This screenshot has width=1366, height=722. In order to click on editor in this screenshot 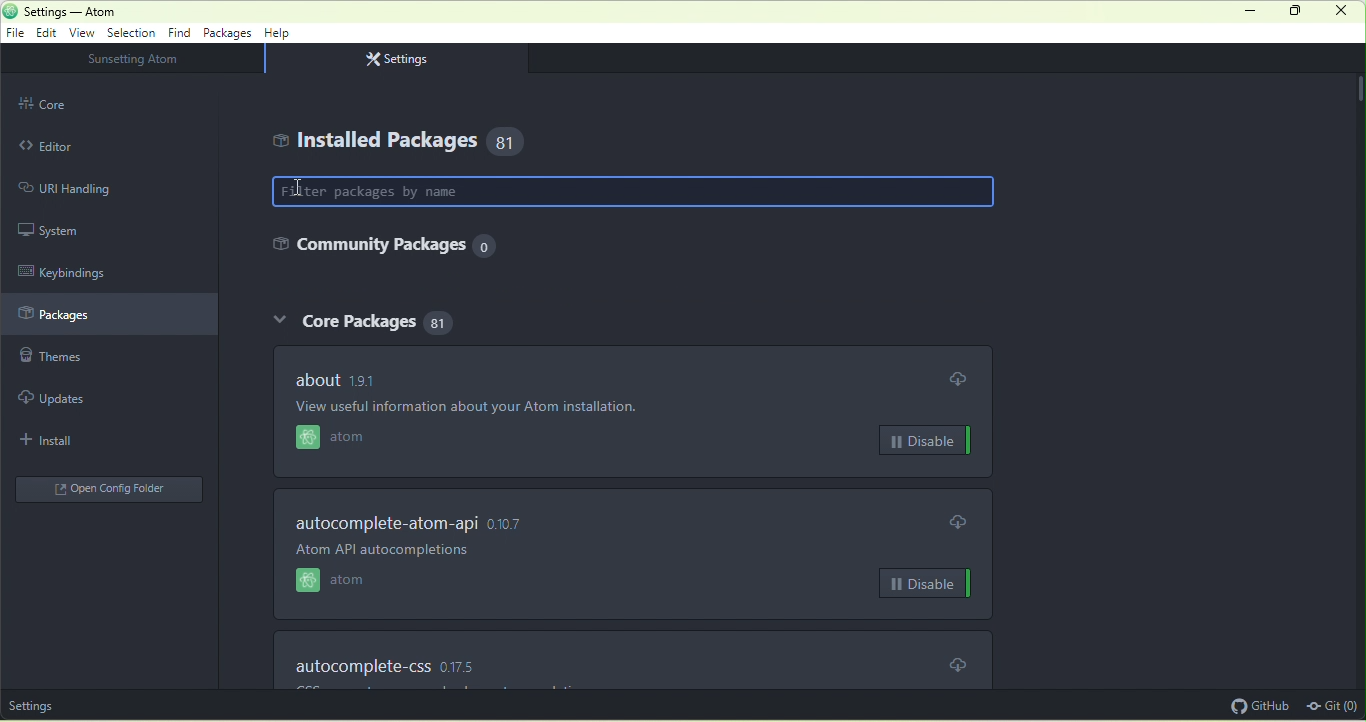, I will do `click(78, 146)`.